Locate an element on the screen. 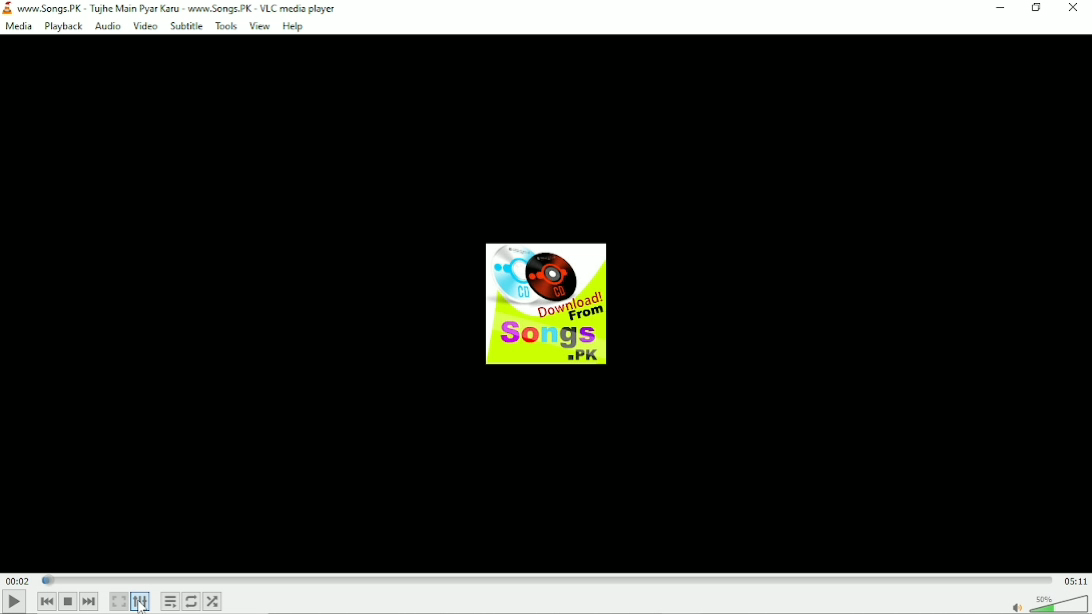 Image resolution: width=1092 pixels, height=614 pixels. Video is located at coordinates (145, 26).